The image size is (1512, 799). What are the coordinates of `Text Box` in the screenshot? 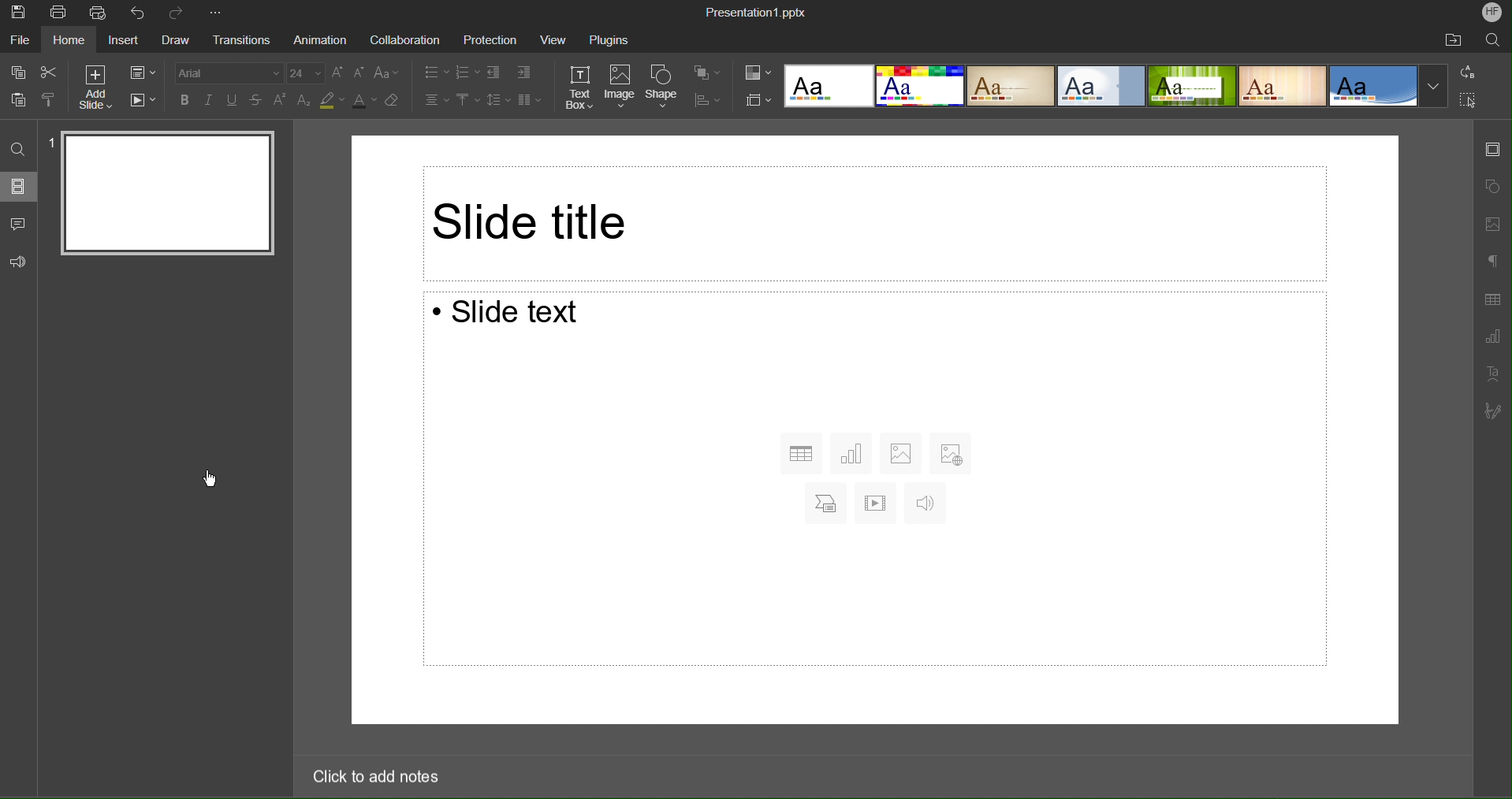 It's located at (581, 88).